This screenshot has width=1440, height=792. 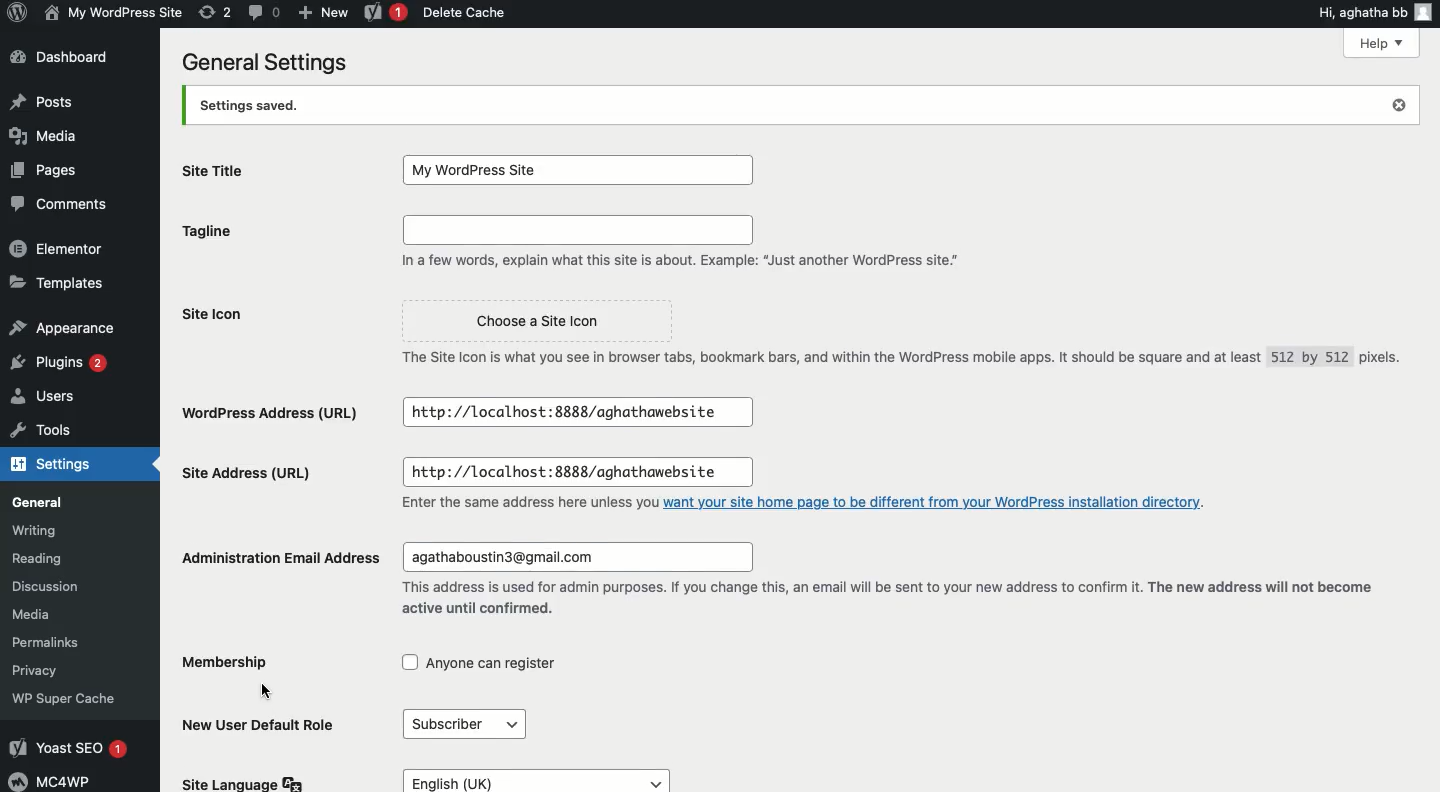 What do you see at coordinates (47, 395) in the screenshot?
I see `Users` at bounding box center [47, 395].